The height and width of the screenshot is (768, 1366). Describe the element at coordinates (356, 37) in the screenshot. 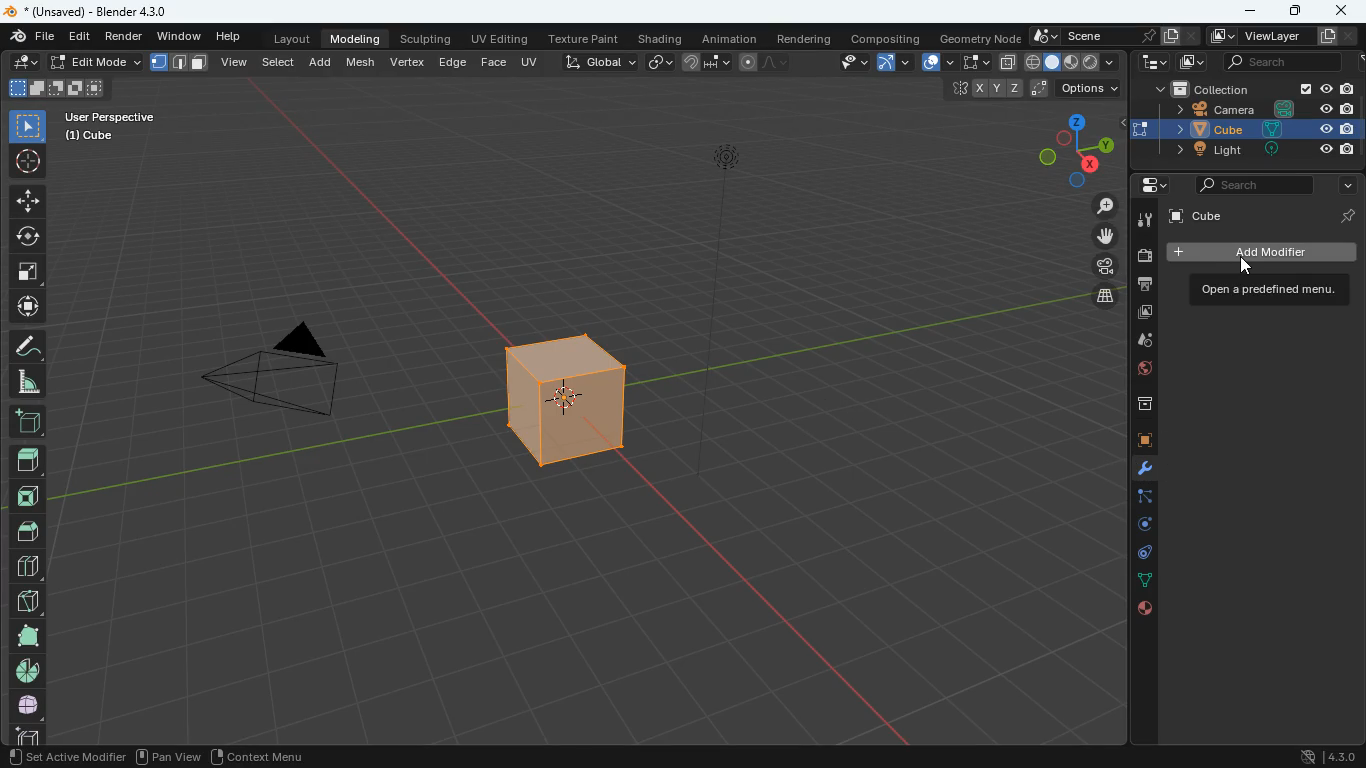

I see `modeling` at that location.